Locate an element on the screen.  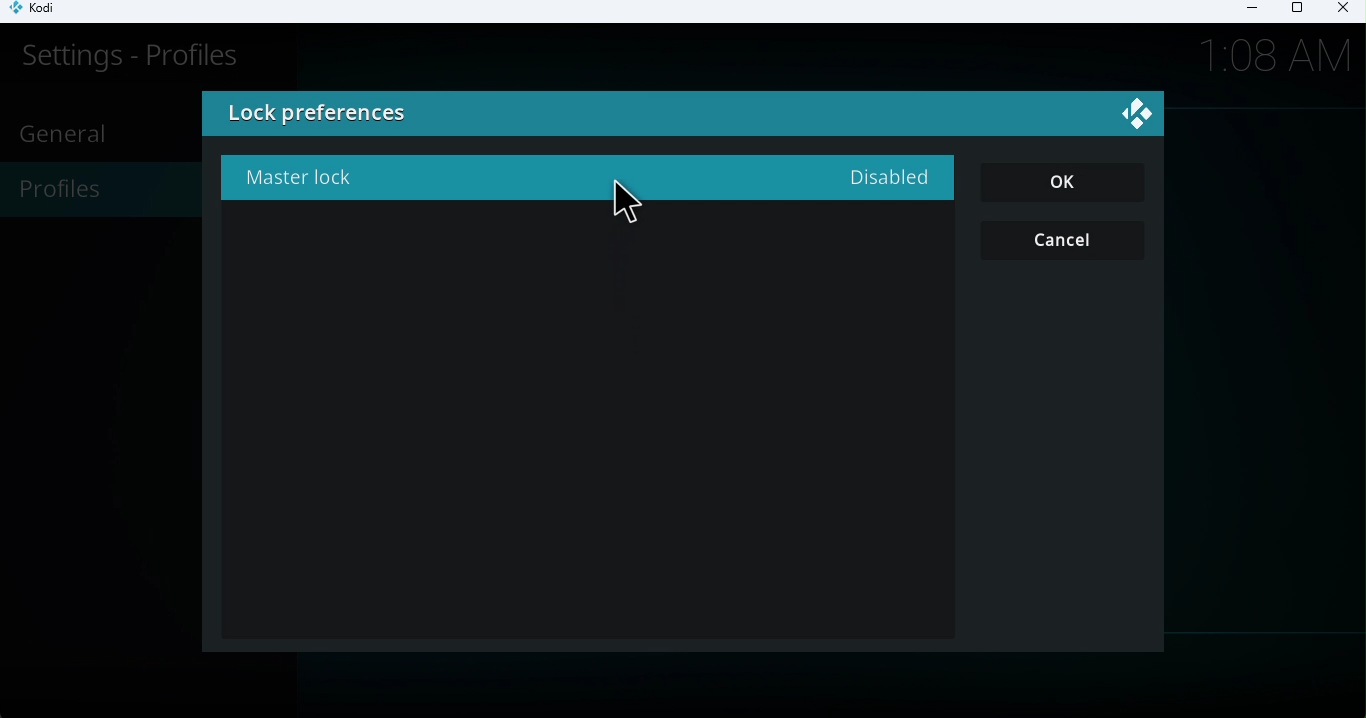
Close is located at coordinates (1340, 11).